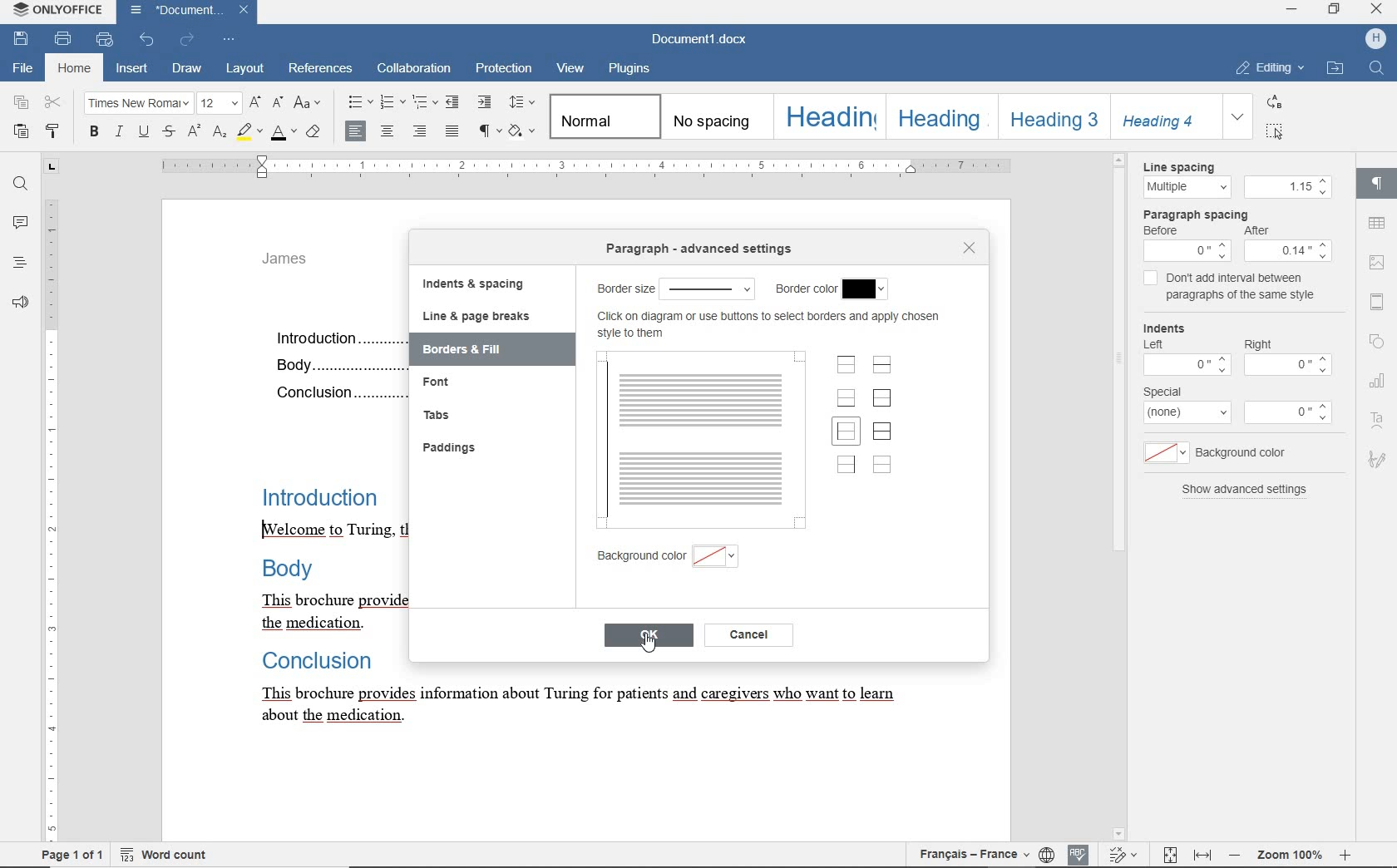 The image size is (1397, 868). Describe the element at coordinates (220, 134) in the screenshot. I see `subscript` at that location.